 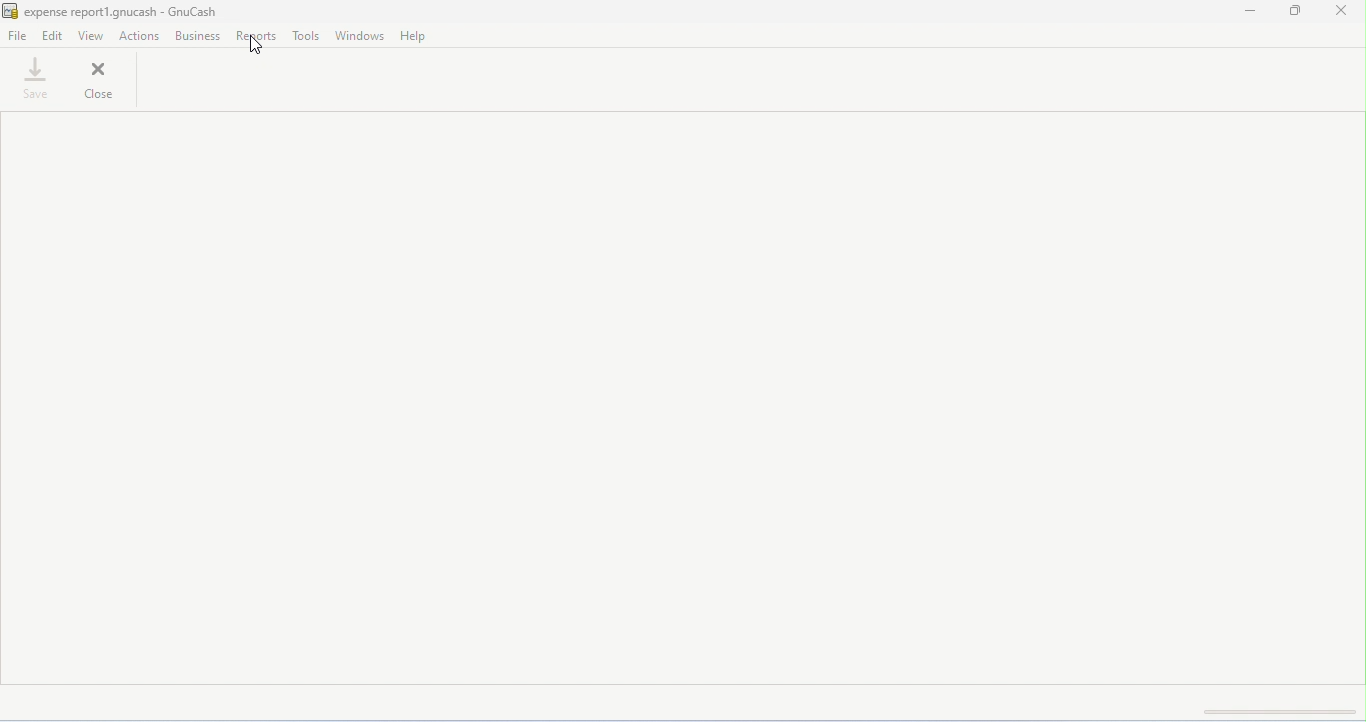 What do you see at coordinates (112, 12) in the screenshot?
I see `expense report1.gnucash-gnucash` at bounding box center [112, 12].